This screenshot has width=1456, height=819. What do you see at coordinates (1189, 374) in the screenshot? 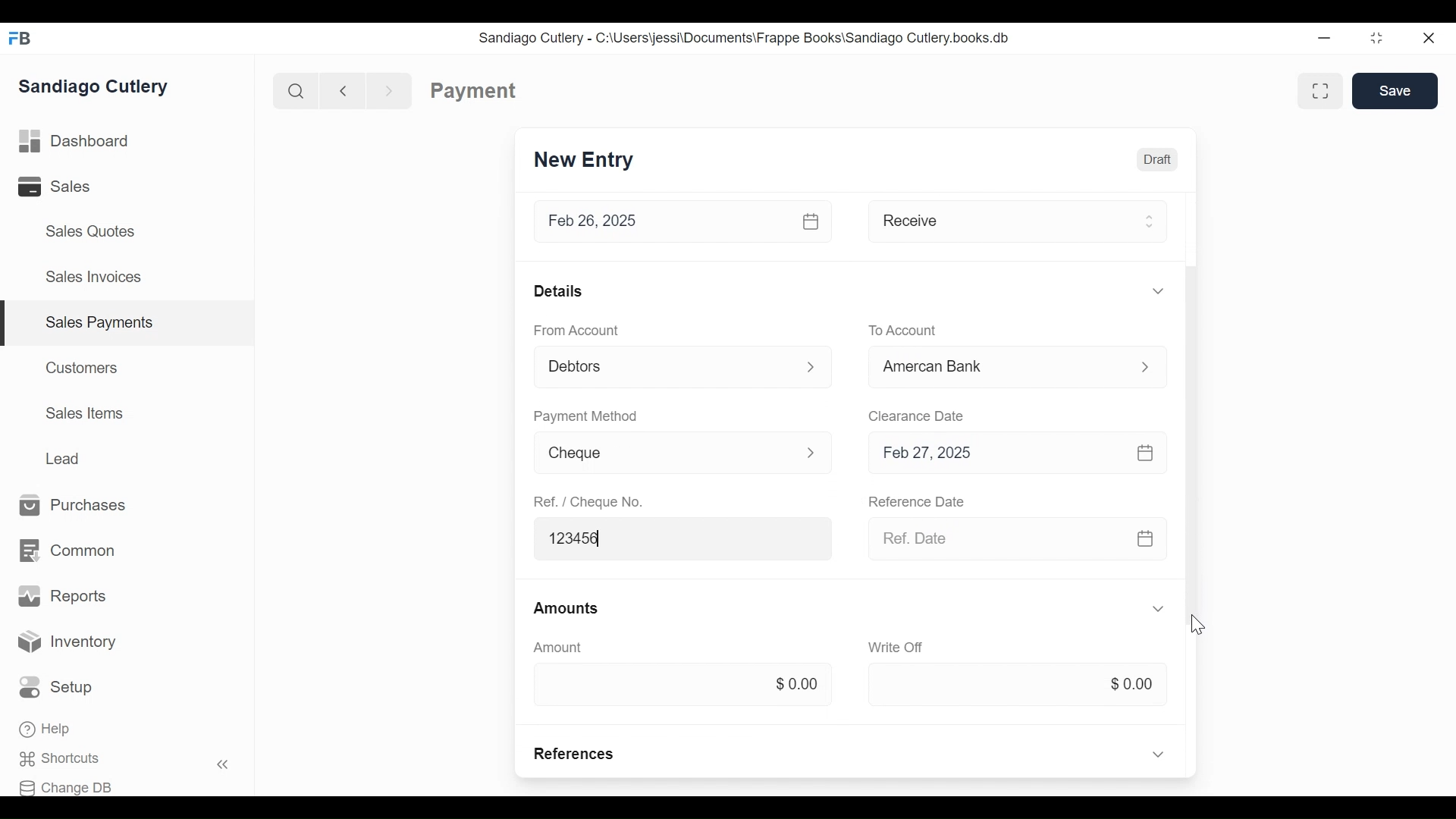
I see `Vertical Scroll bar` at bounding box center [1189, 374].